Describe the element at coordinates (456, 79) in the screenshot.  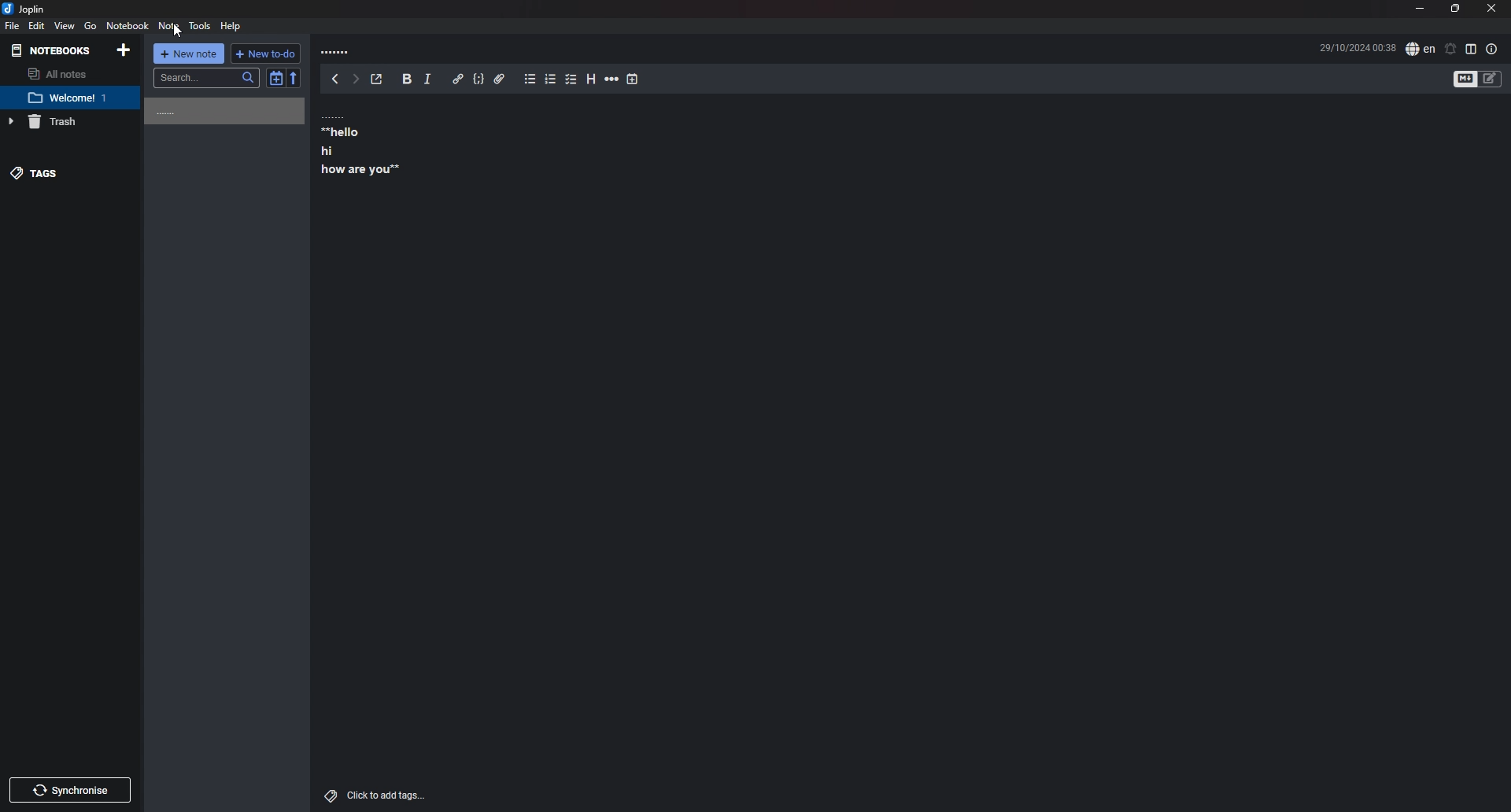
I see `Hyperlink` at that location.